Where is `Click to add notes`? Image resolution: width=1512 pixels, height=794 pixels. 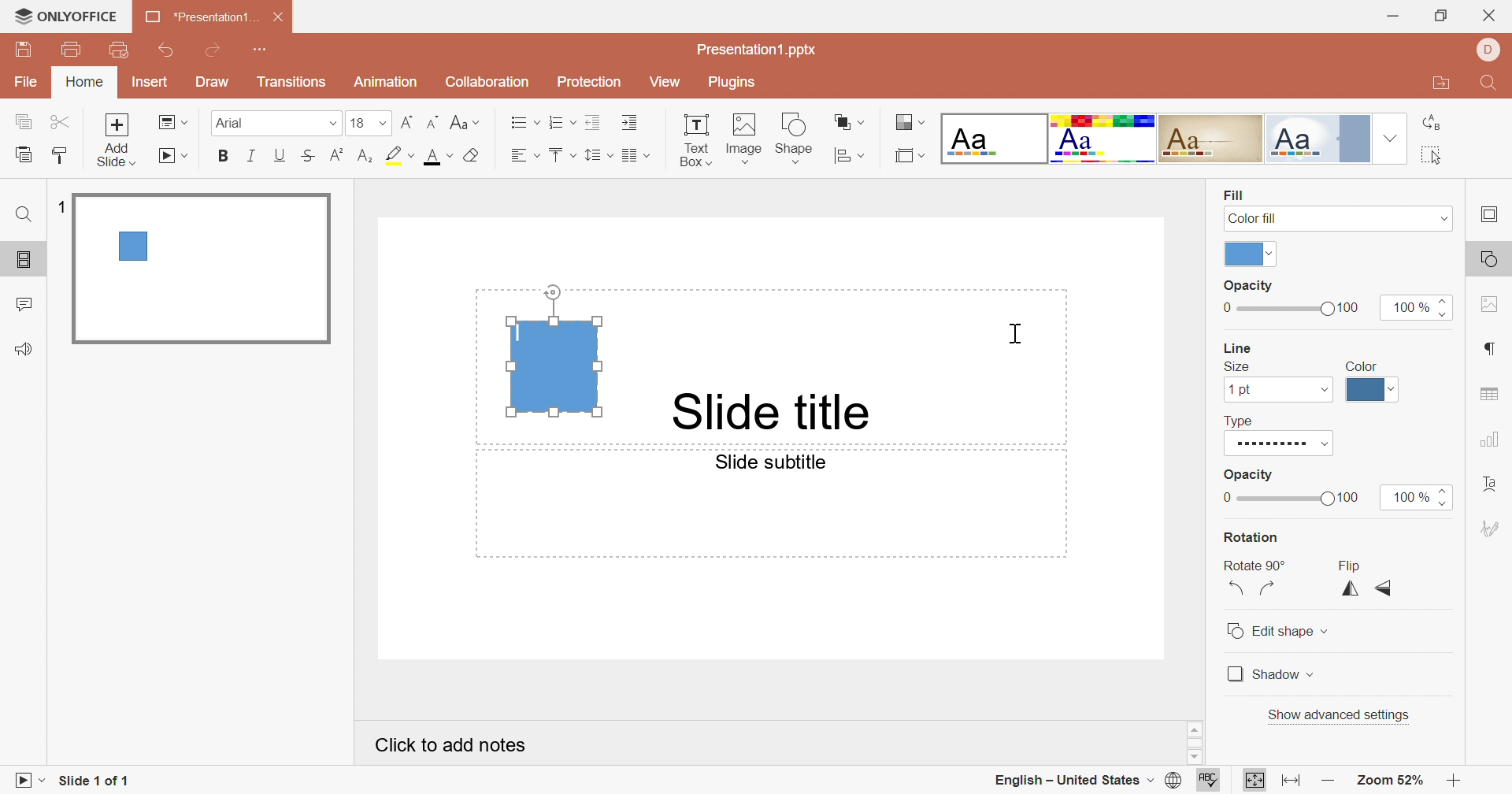 Click to add notes is located at coordinates (452, 748).